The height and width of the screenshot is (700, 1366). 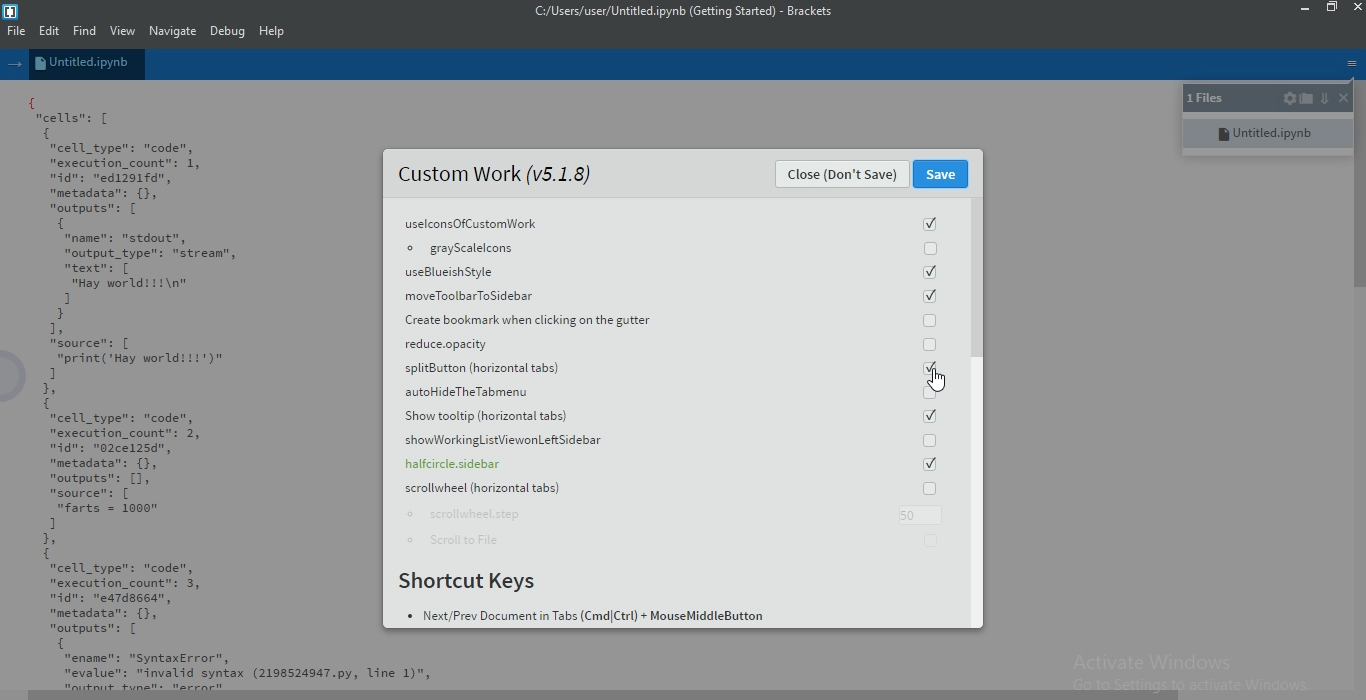 What do you see at coordinates (677, 371) in the screenshot?
I see `splitButton (horizontal tabs)` at bounding box center [677, 371].